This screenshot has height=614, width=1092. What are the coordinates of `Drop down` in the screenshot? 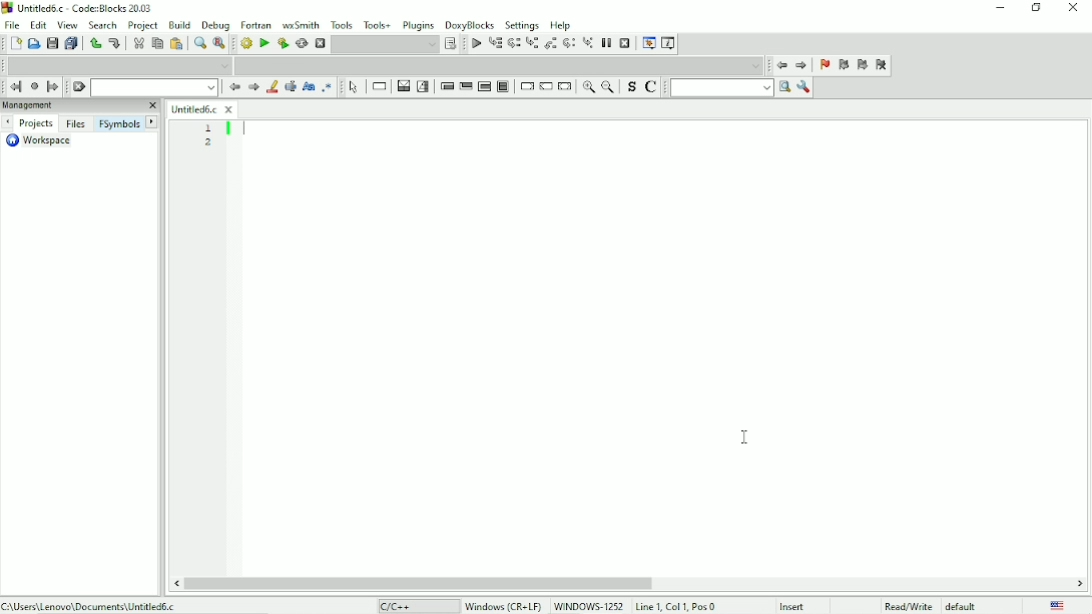 It's located at (117, 65).